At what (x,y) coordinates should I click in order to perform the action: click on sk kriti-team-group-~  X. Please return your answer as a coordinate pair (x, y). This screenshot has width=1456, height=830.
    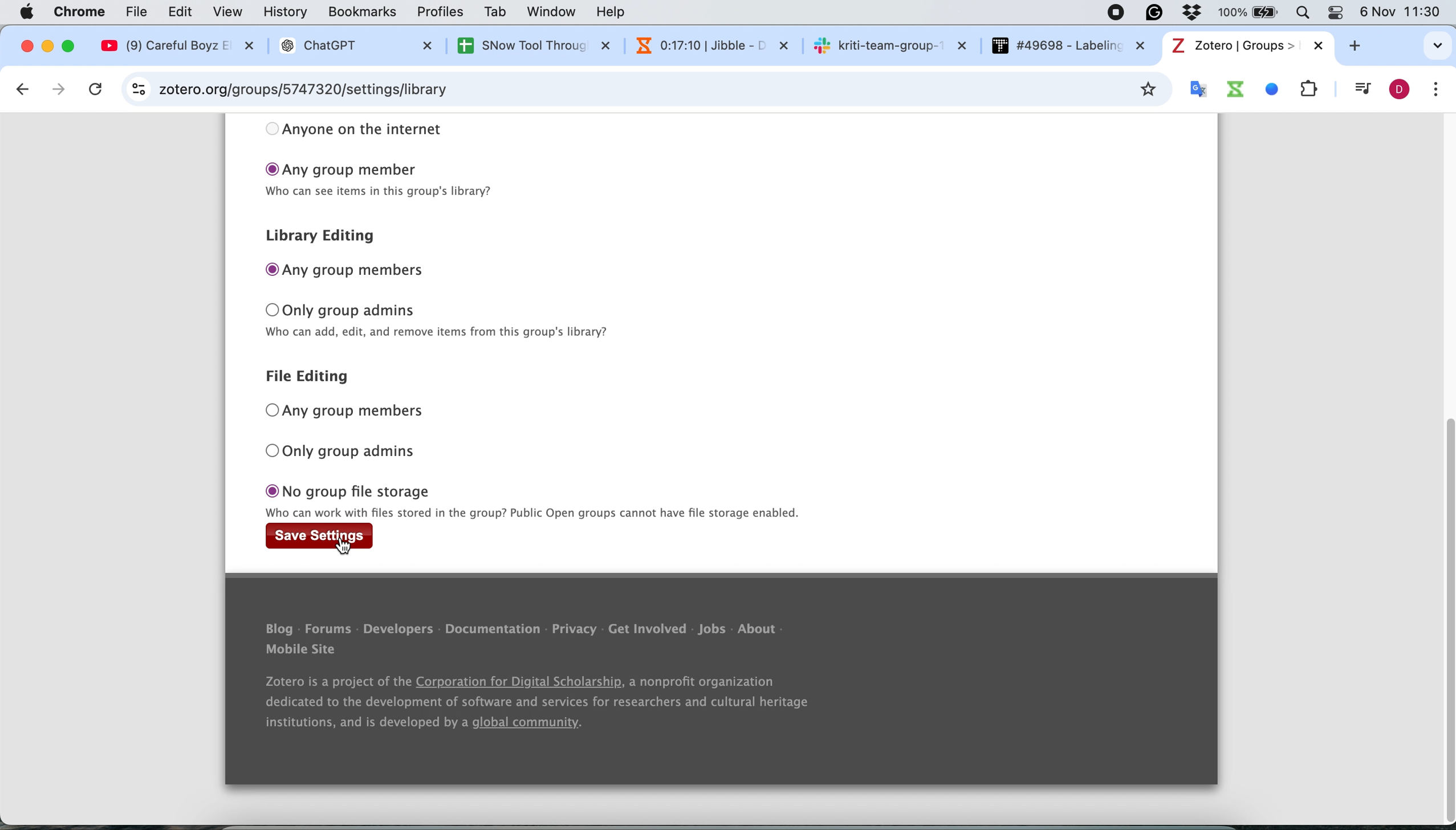
    Looking at the image, I should click on (889, 44).